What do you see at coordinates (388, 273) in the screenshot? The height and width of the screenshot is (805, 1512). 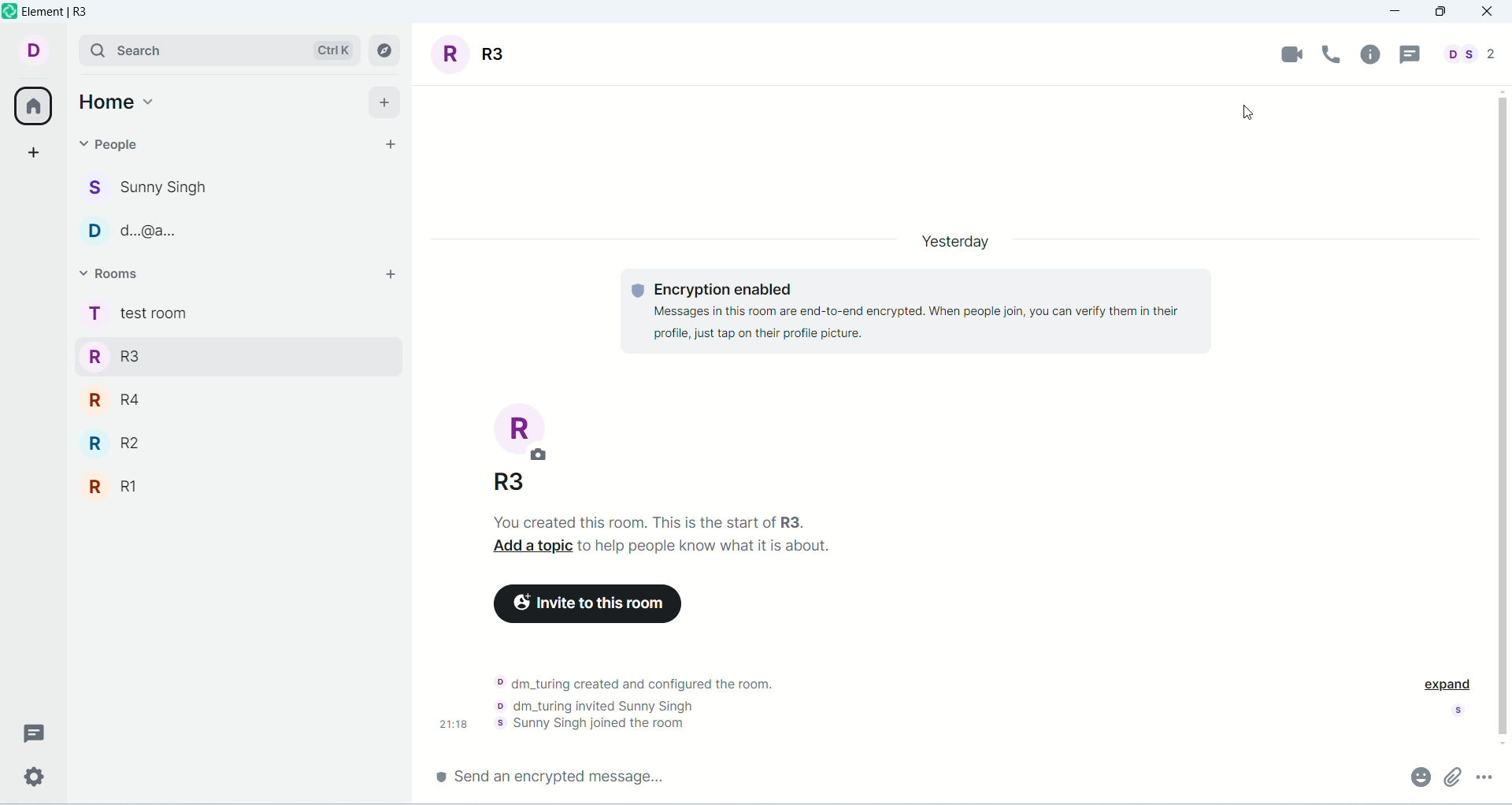 I see `add` at bounding box center [388, 273].